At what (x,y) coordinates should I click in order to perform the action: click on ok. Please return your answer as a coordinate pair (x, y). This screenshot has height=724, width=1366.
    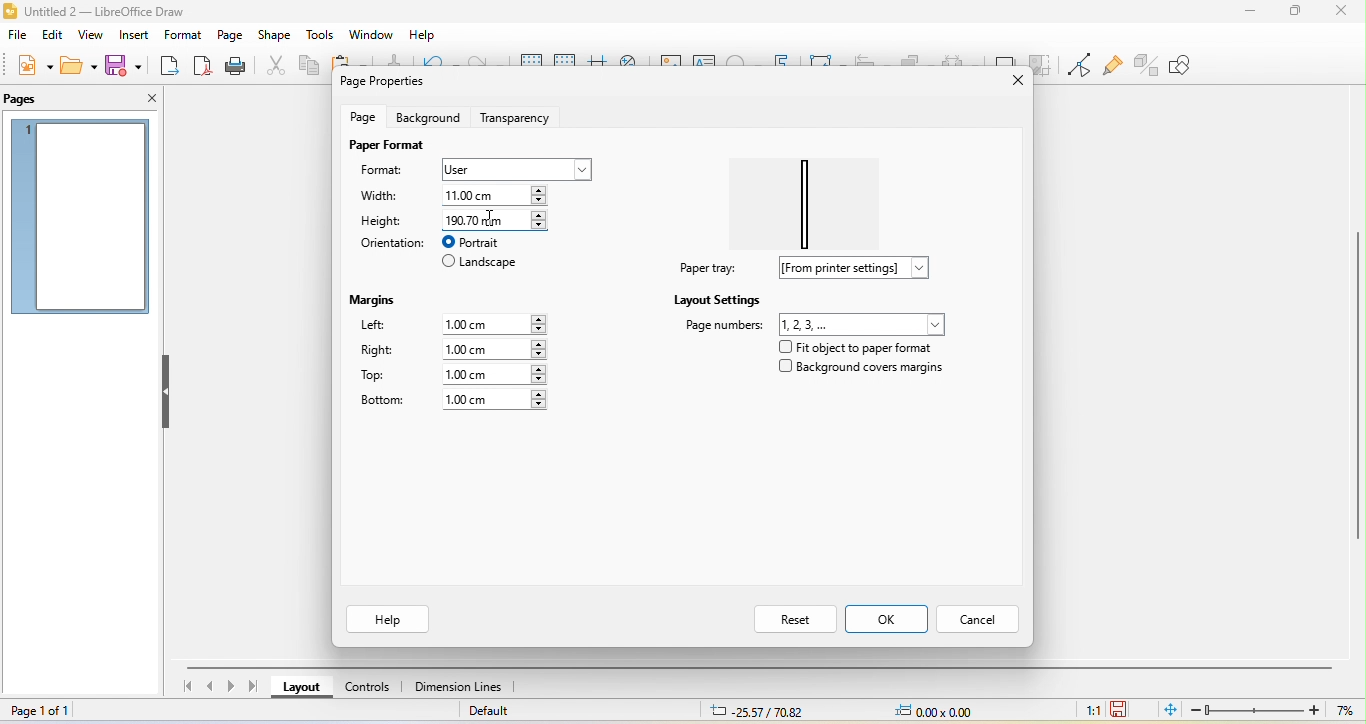
    Looking at the image, I should click on (888, 619).